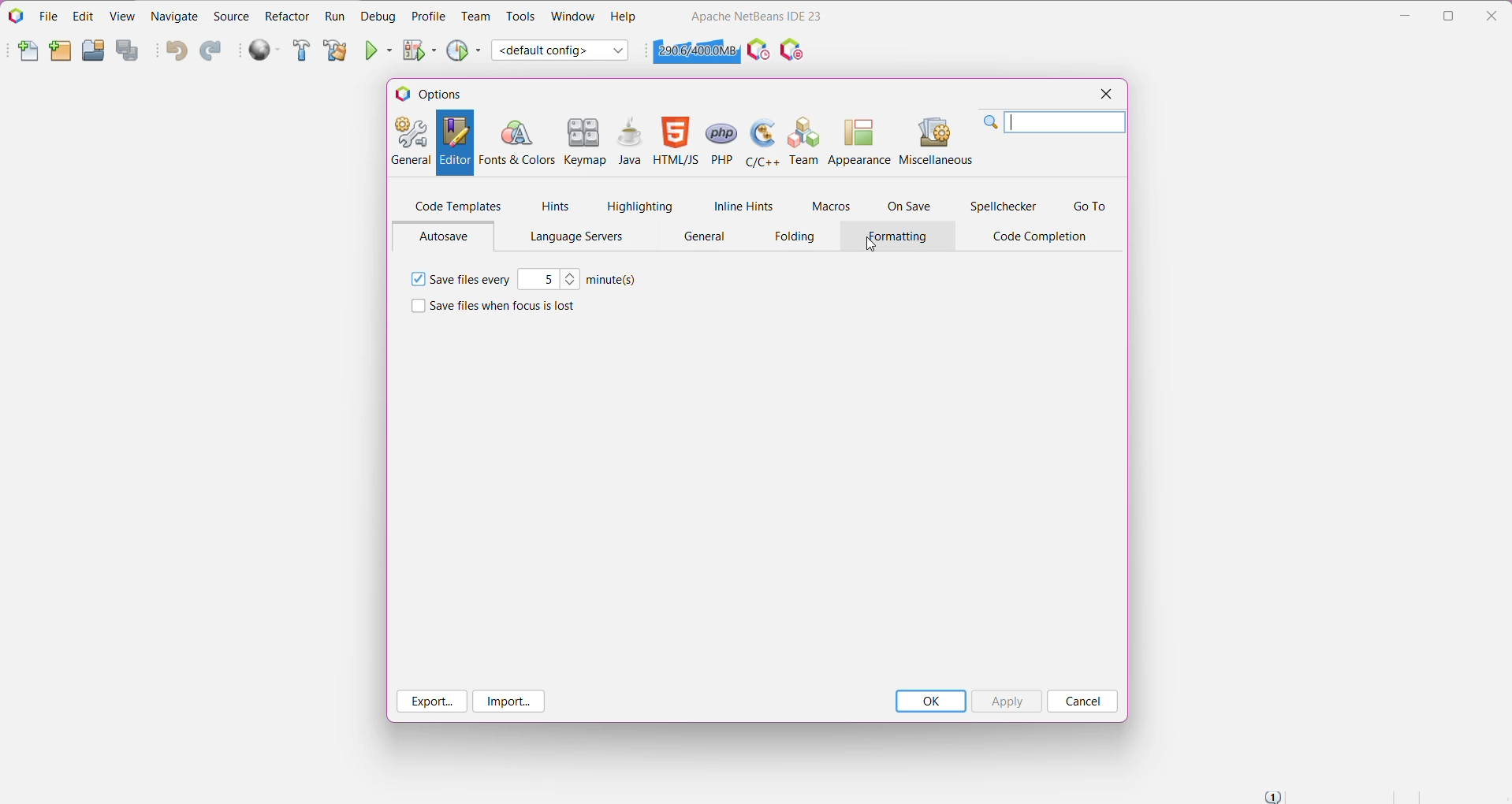  What do you see at coordinates (231, 17) in the screenshot?
I see `Source` at bounding box center [231, 17].